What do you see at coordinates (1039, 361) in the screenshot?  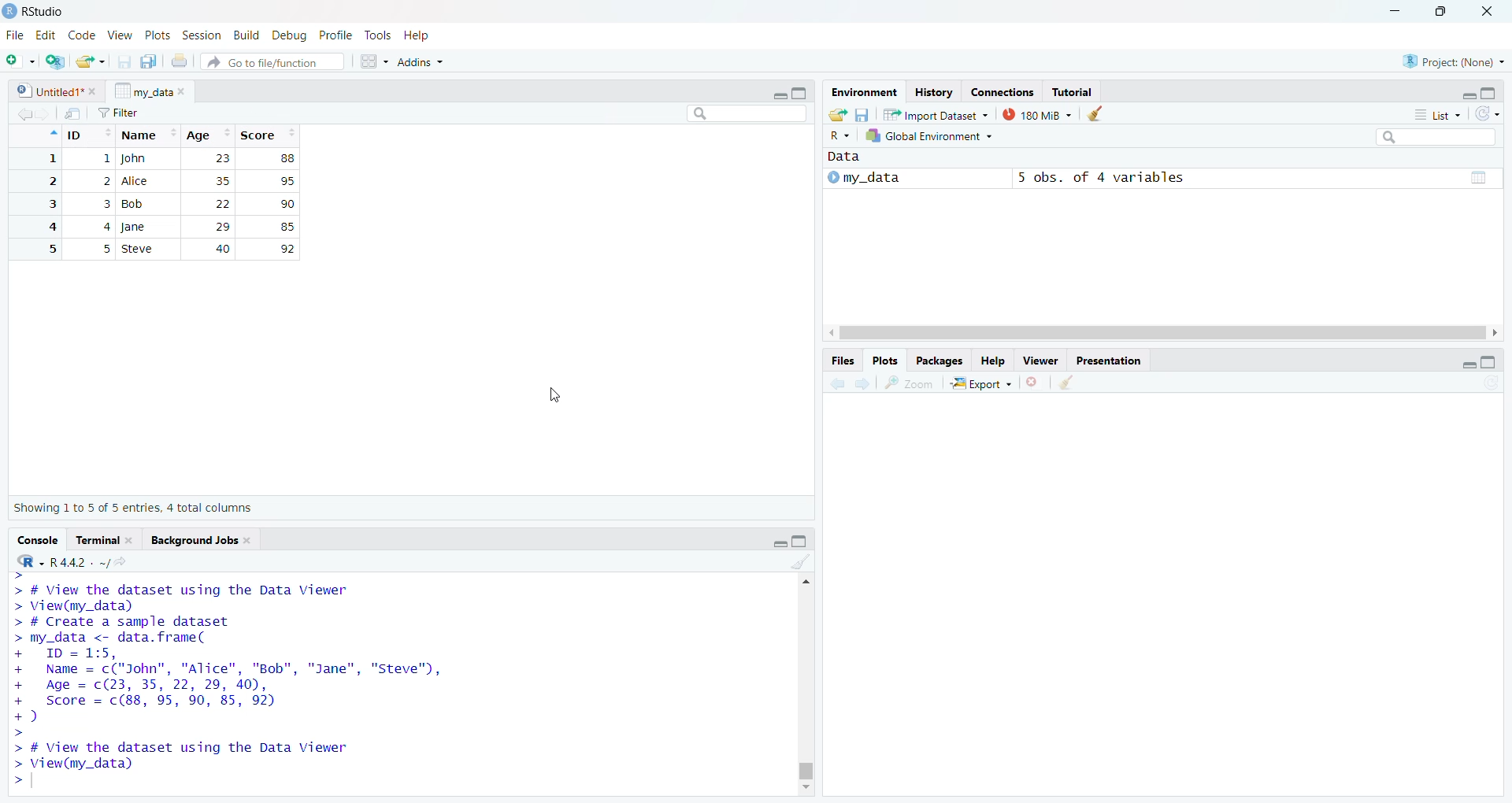 I see `Viewer` at bounding box center [1039, 361].